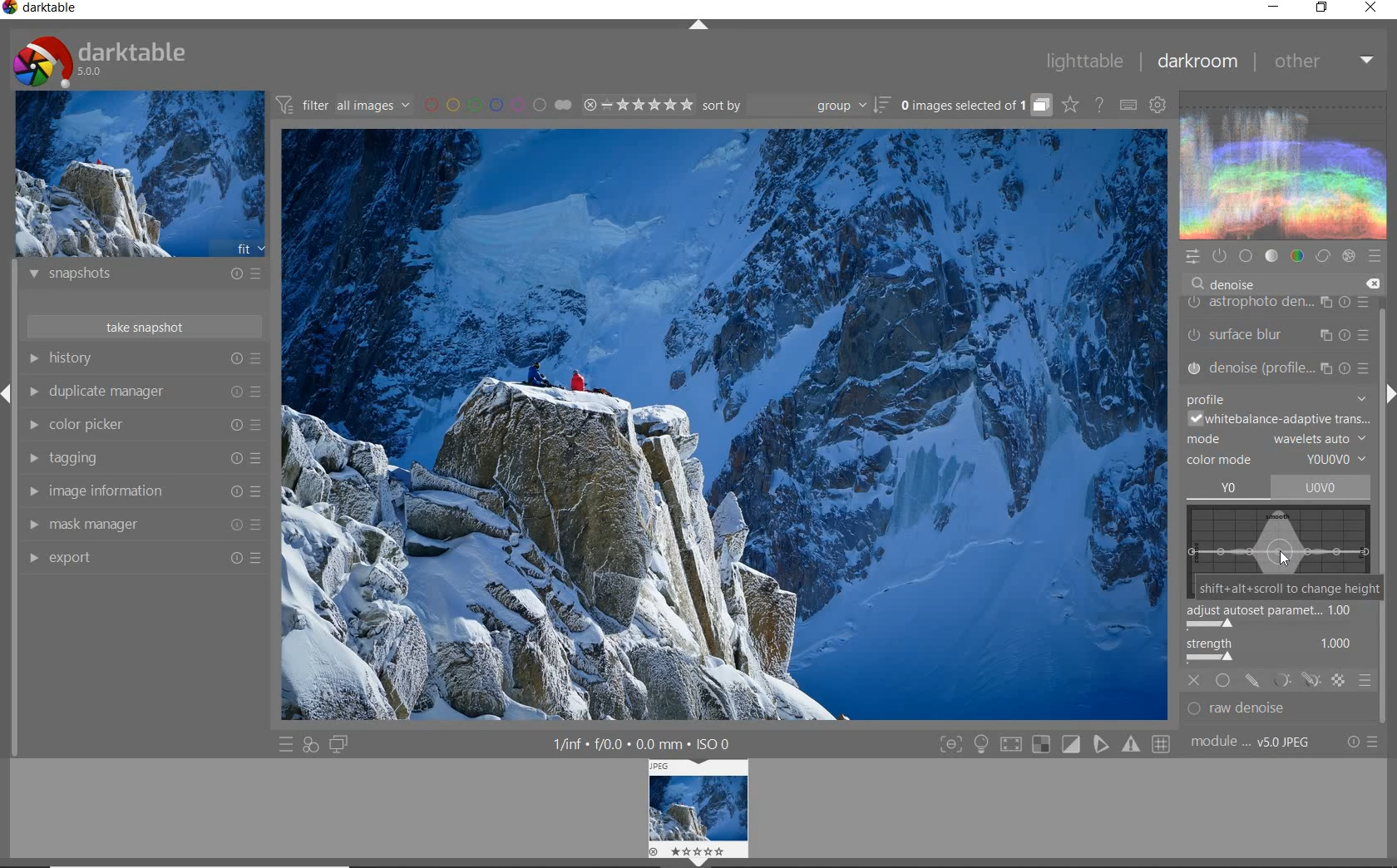  What do you see at coordinates (144, 358) in the screenshot?
I see `history` at bounding box center [144, 358].